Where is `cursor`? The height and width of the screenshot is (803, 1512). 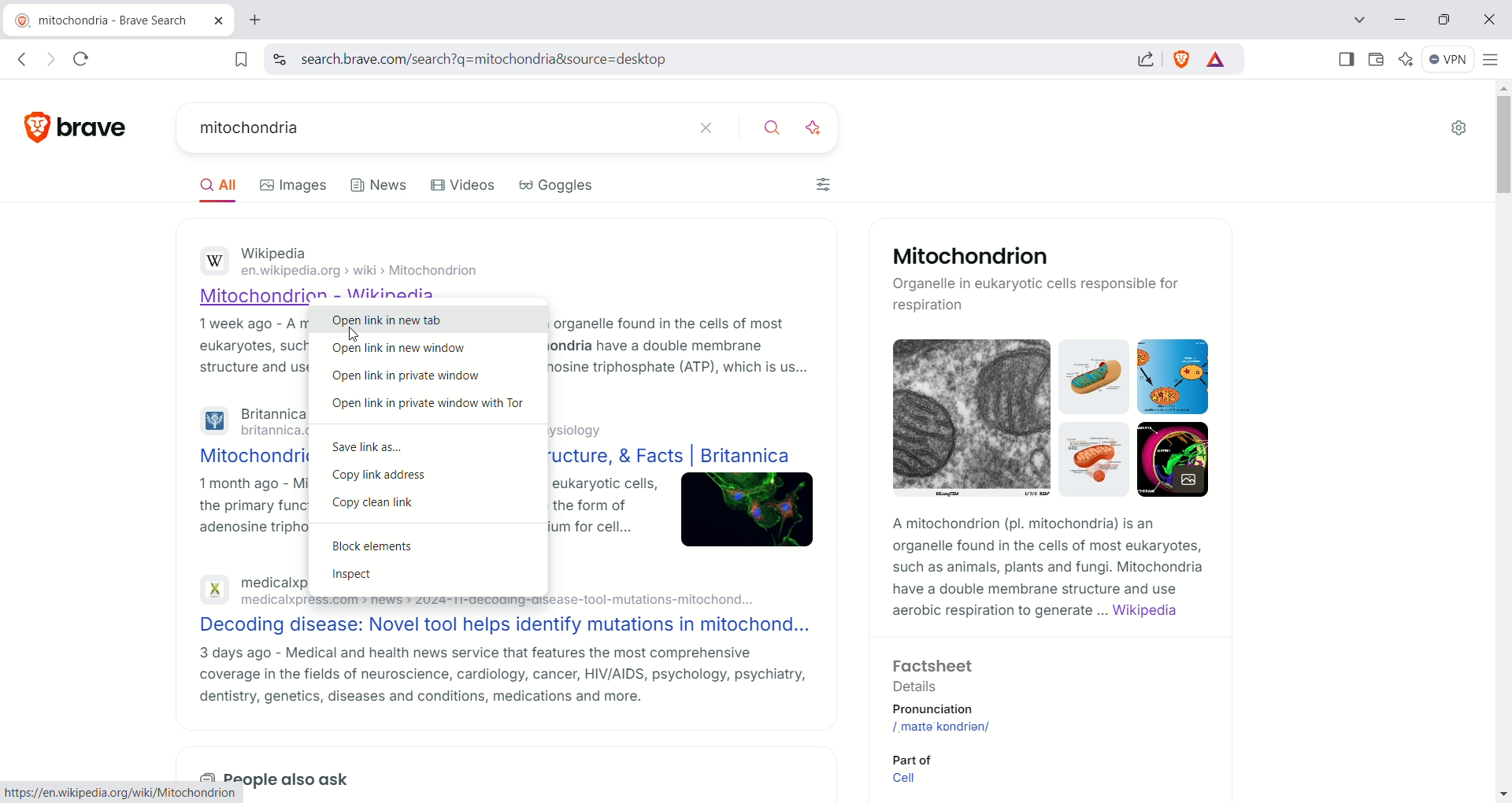 cursor is located at coordinates (353, 335).